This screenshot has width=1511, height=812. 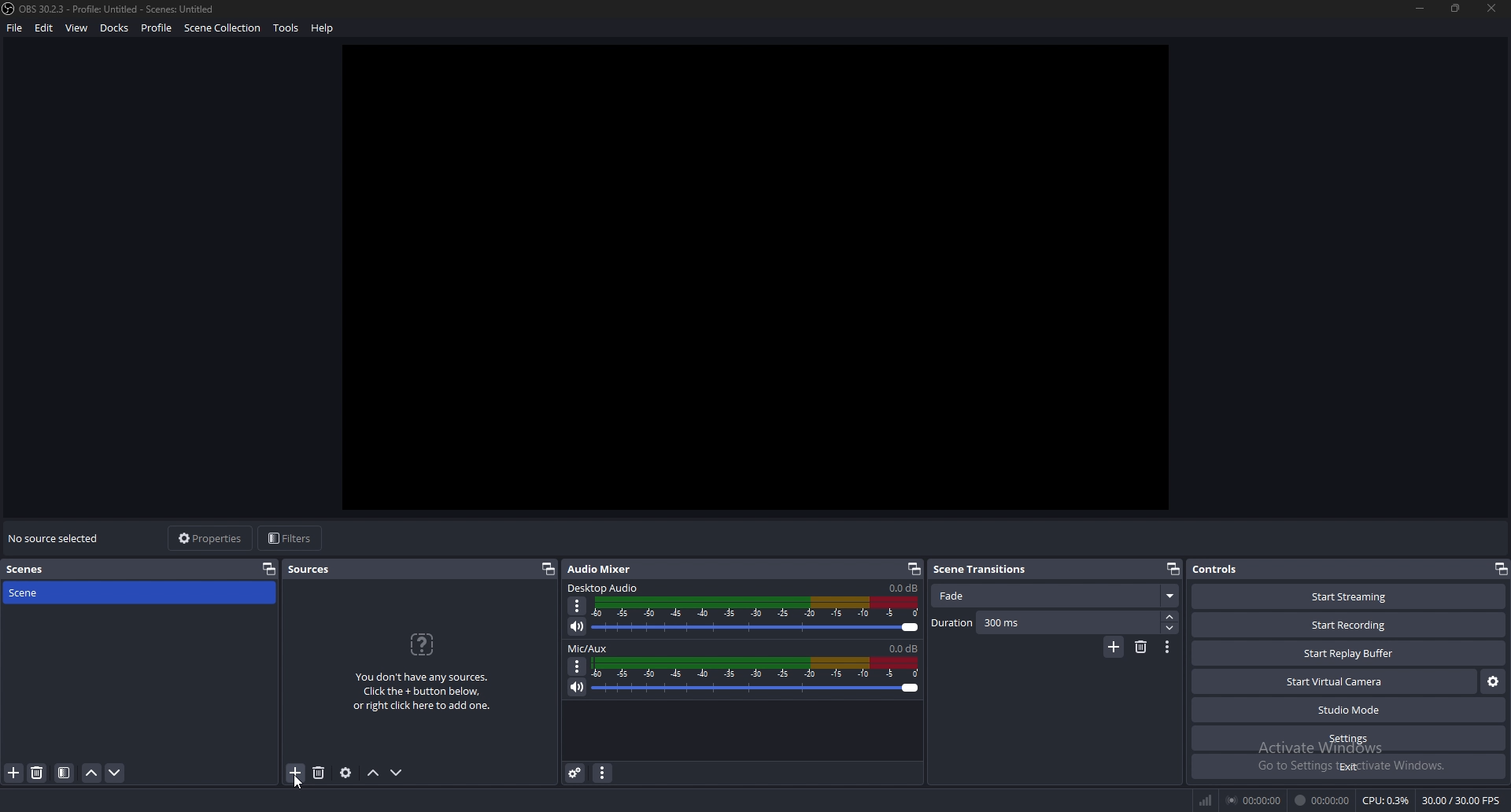 What do you see at coordinates (1492, 7) in the screenshot?
I see `close` at bounding box center [1492, 7].